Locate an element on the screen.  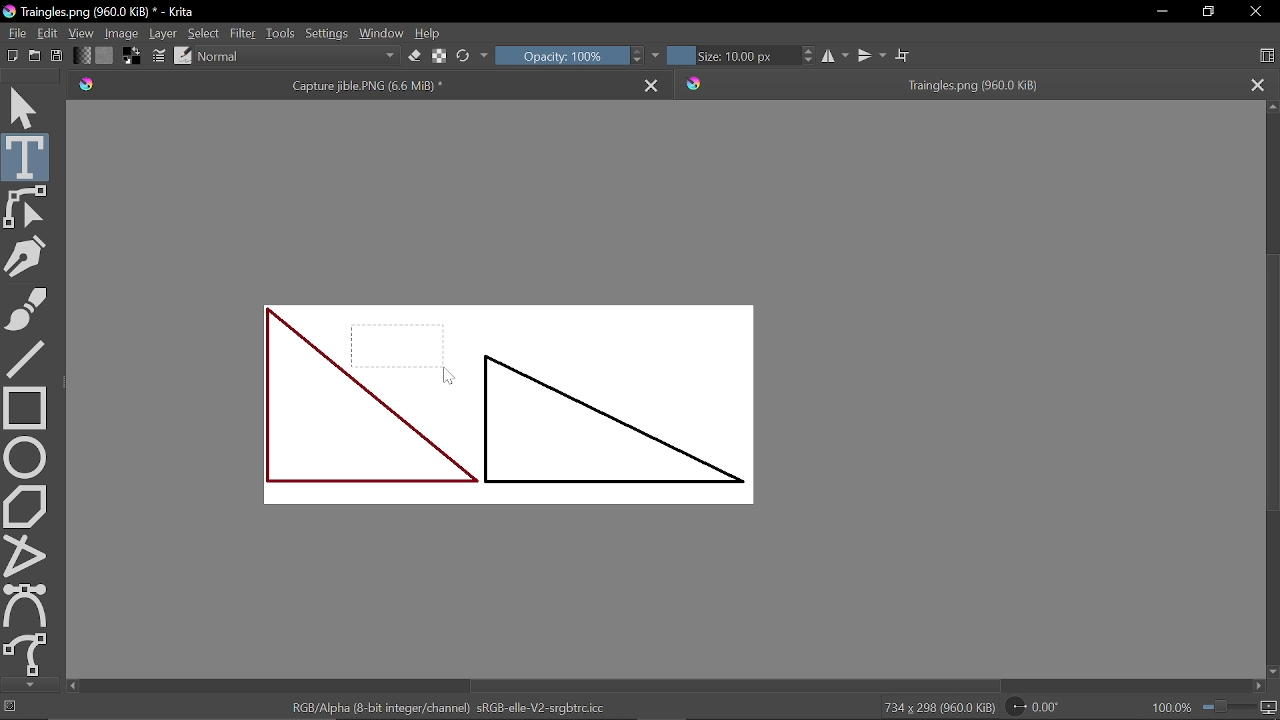
Polyline tool is located at coordinates (26, 555).